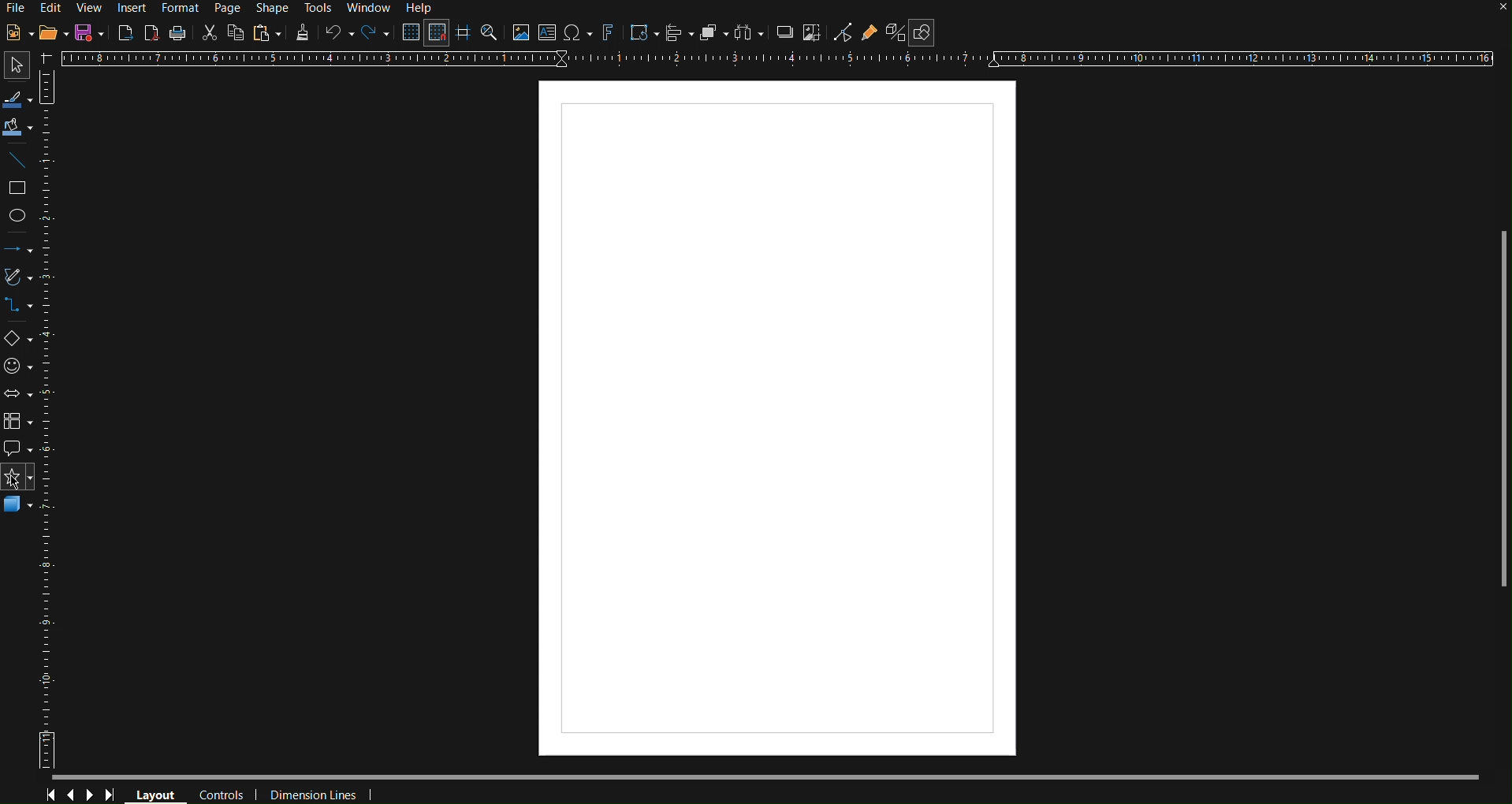  I want to click on Scrollbar, so click(766, 776).